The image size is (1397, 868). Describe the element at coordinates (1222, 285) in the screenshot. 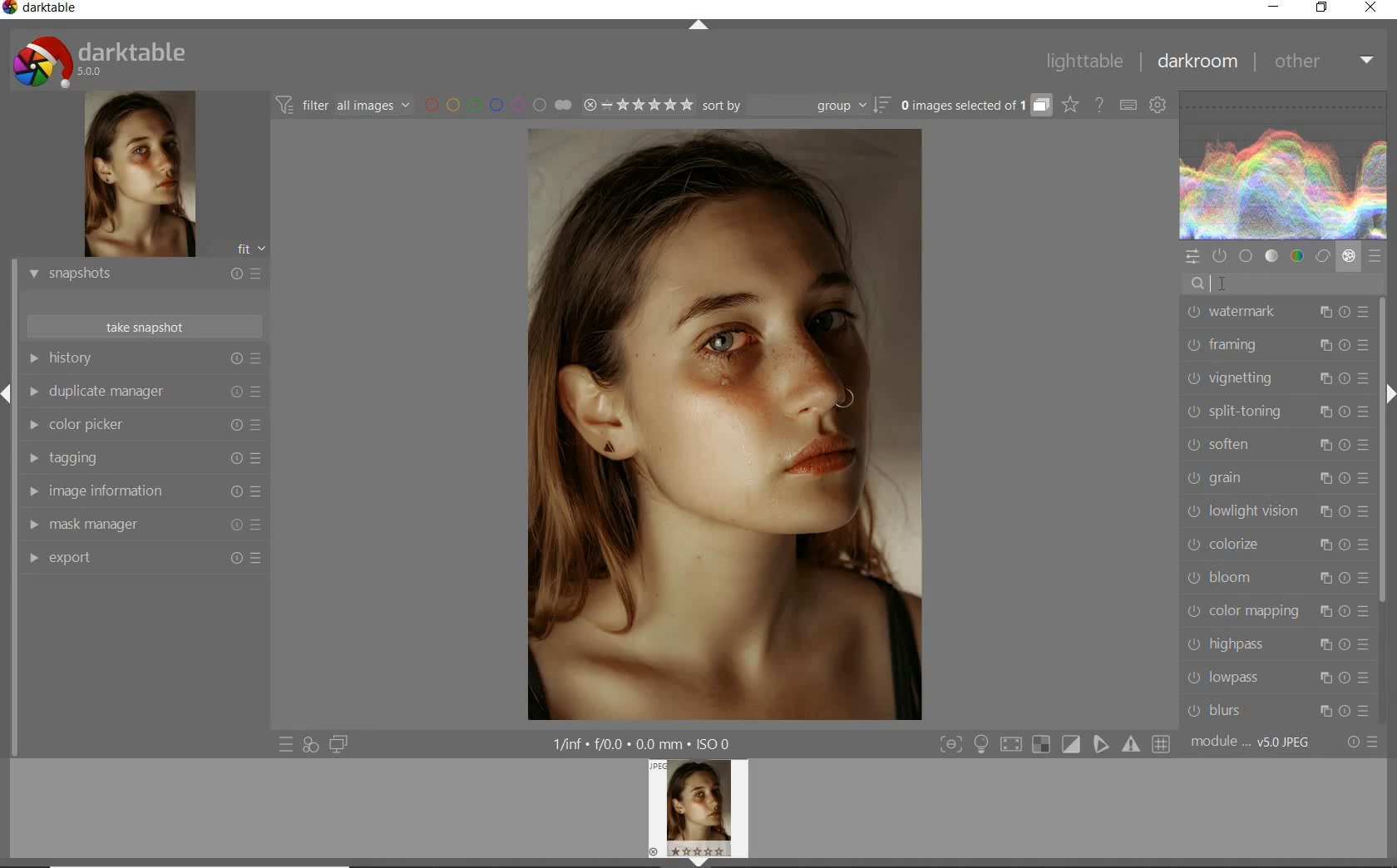

I see `CURSOR` at that location.